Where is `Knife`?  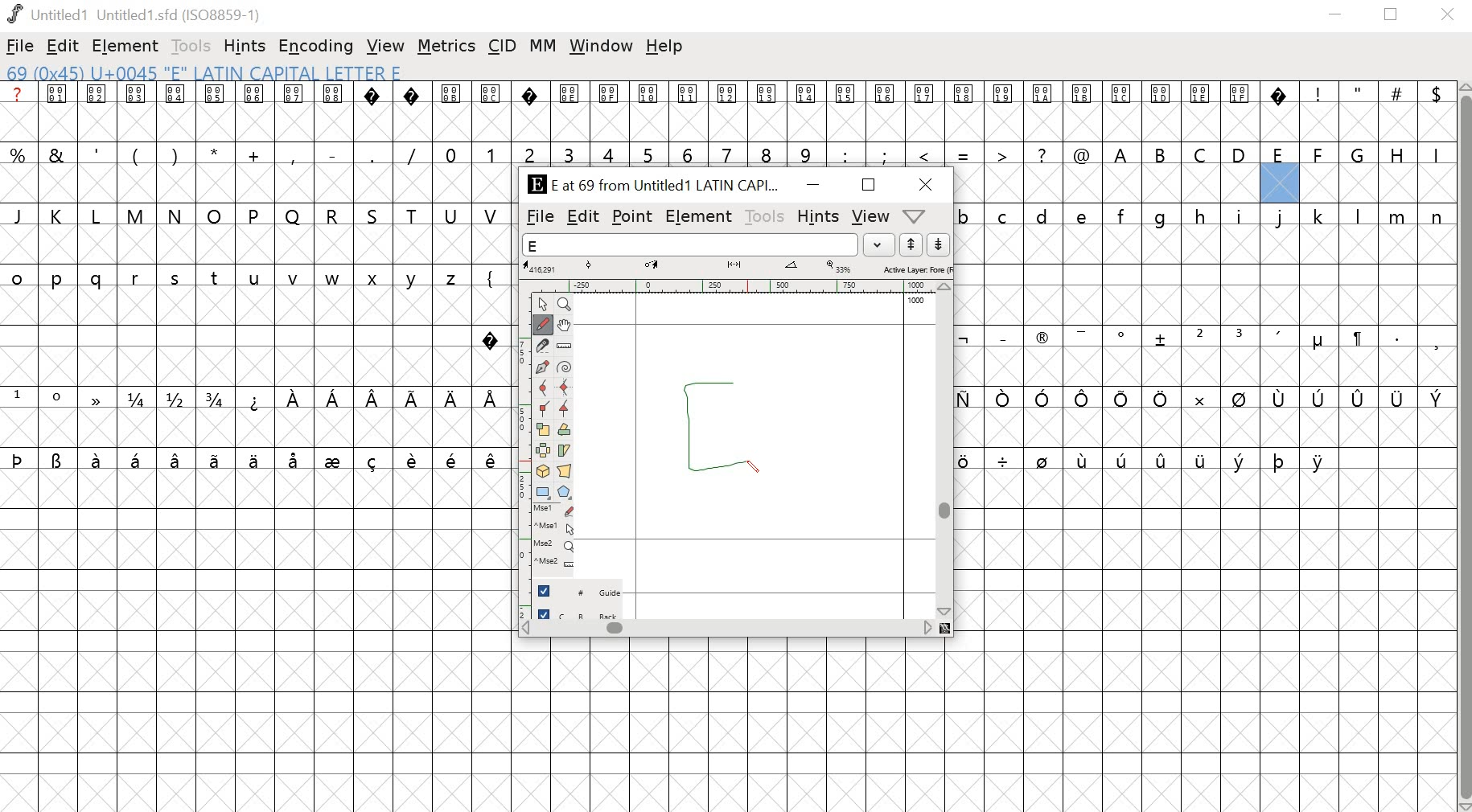
Knife is located at coordinates (544, 346).